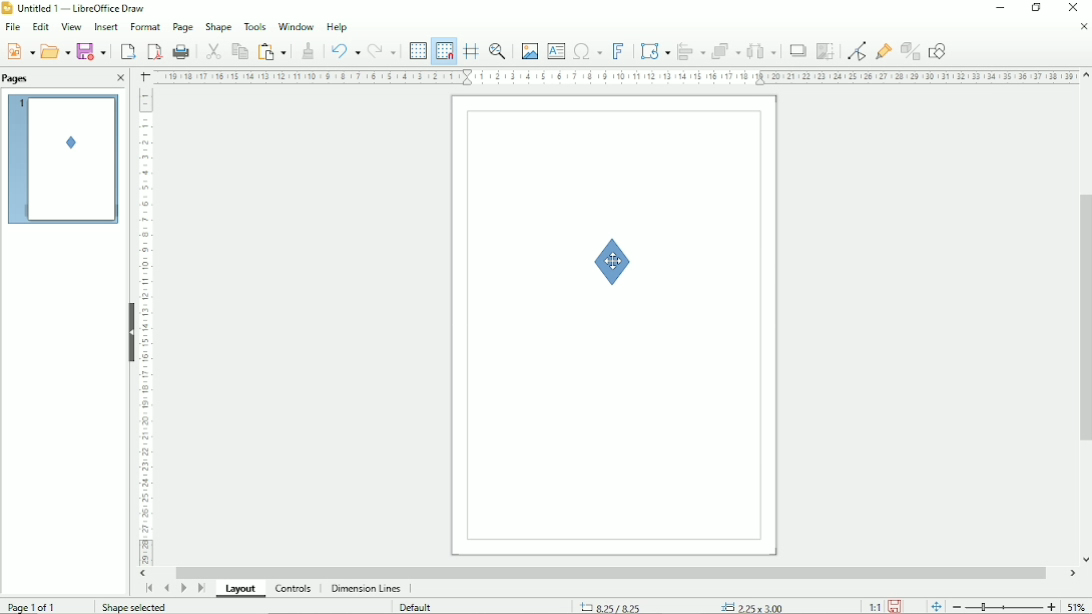 The width and height of the screenshot is (1092, 614). What do you see at coordinates (587, 49) in the screenshot?
I see `Insert special characters` at bounding box center [587, 49].